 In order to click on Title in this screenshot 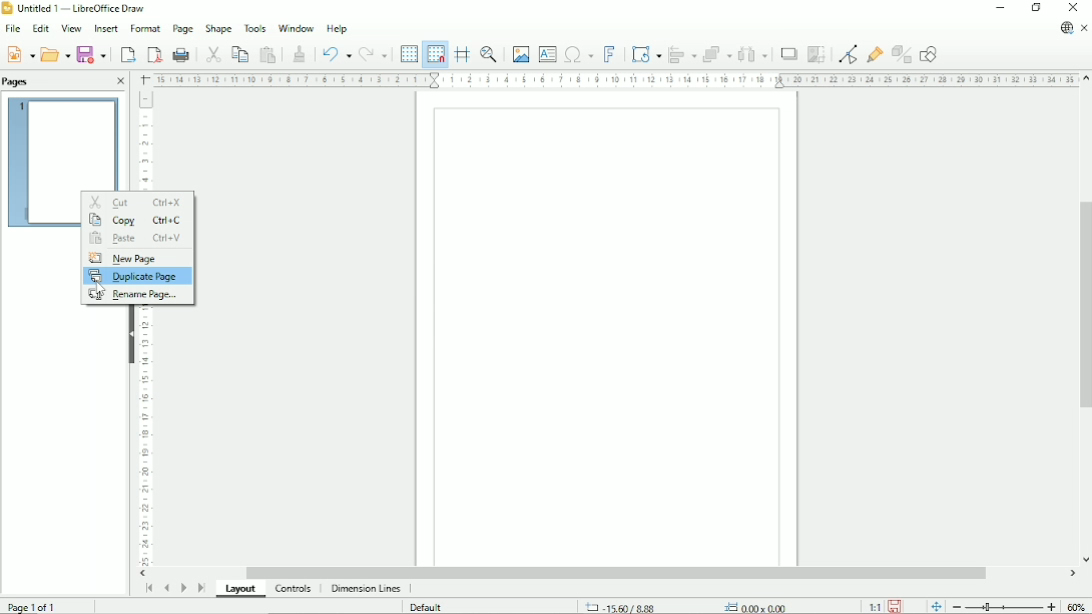, I will do `click(77, 9)`.